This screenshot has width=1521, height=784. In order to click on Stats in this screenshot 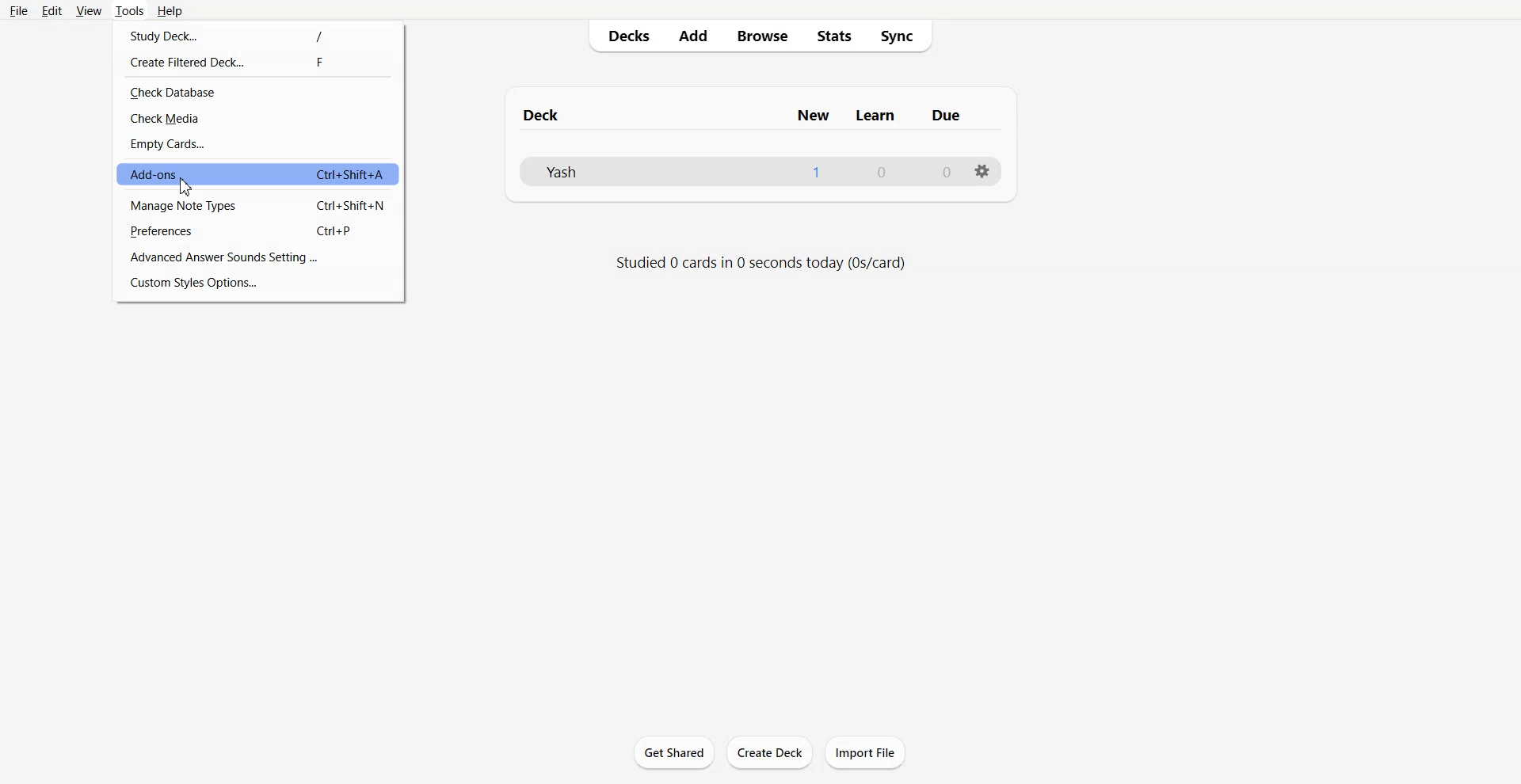, I will do `click(838, 36)`.